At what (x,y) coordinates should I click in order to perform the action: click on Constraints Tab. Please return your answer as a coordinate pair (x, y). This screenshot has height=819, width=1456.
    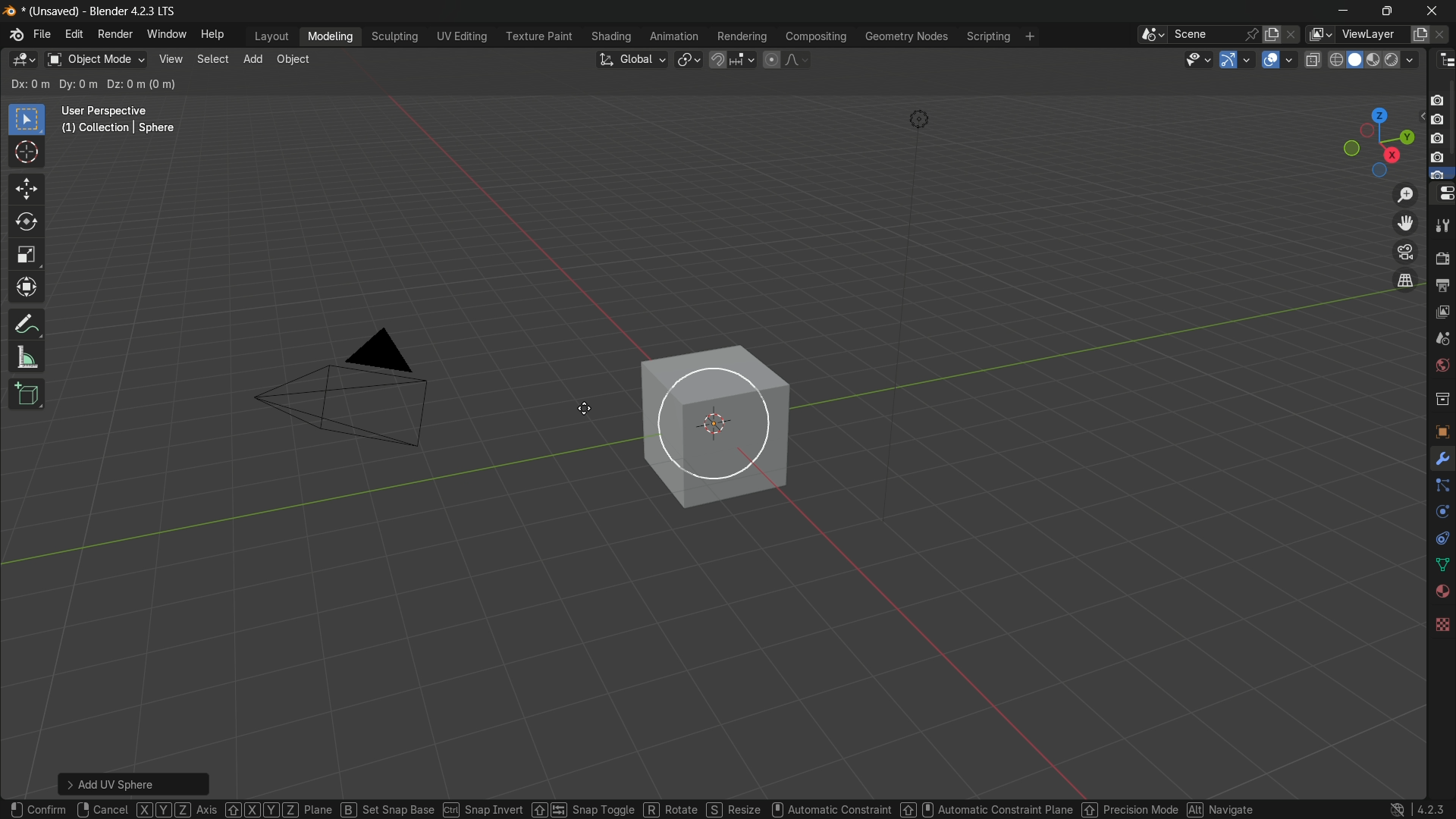
    Looking at the image, I should click on (1439, 486).